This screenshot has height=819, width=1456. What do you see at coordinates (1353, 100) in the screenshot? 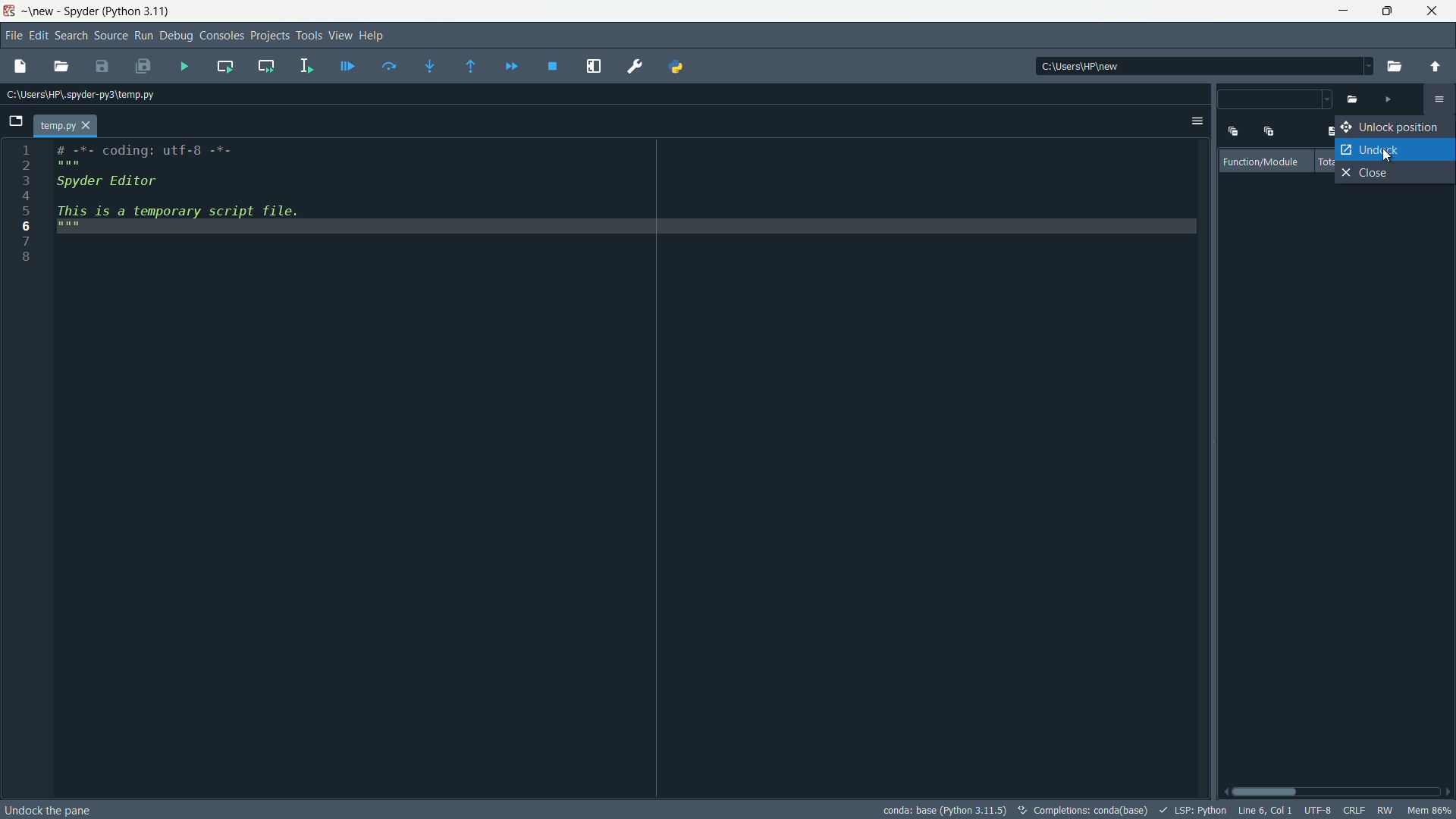
I see `open file` at bounding box center [1353, 100].